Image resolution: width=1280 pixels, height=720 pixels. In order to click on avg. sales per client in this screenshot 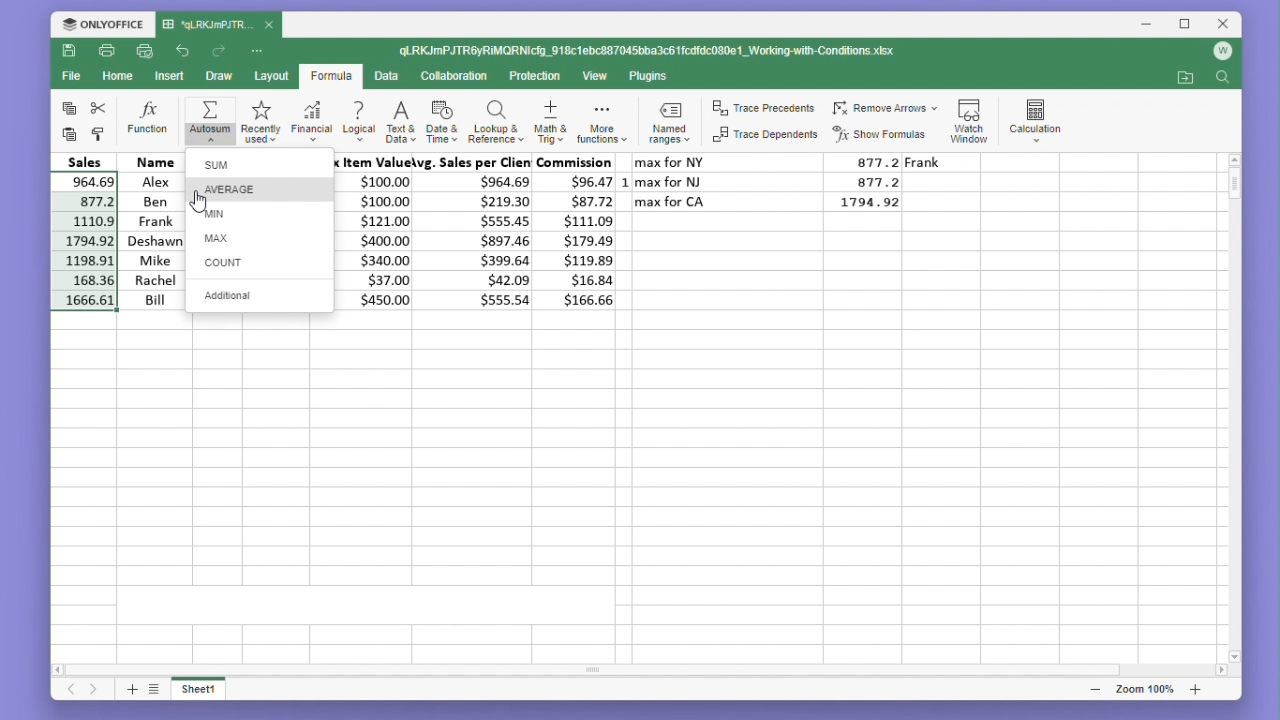, I will do `click(477, 231)`.